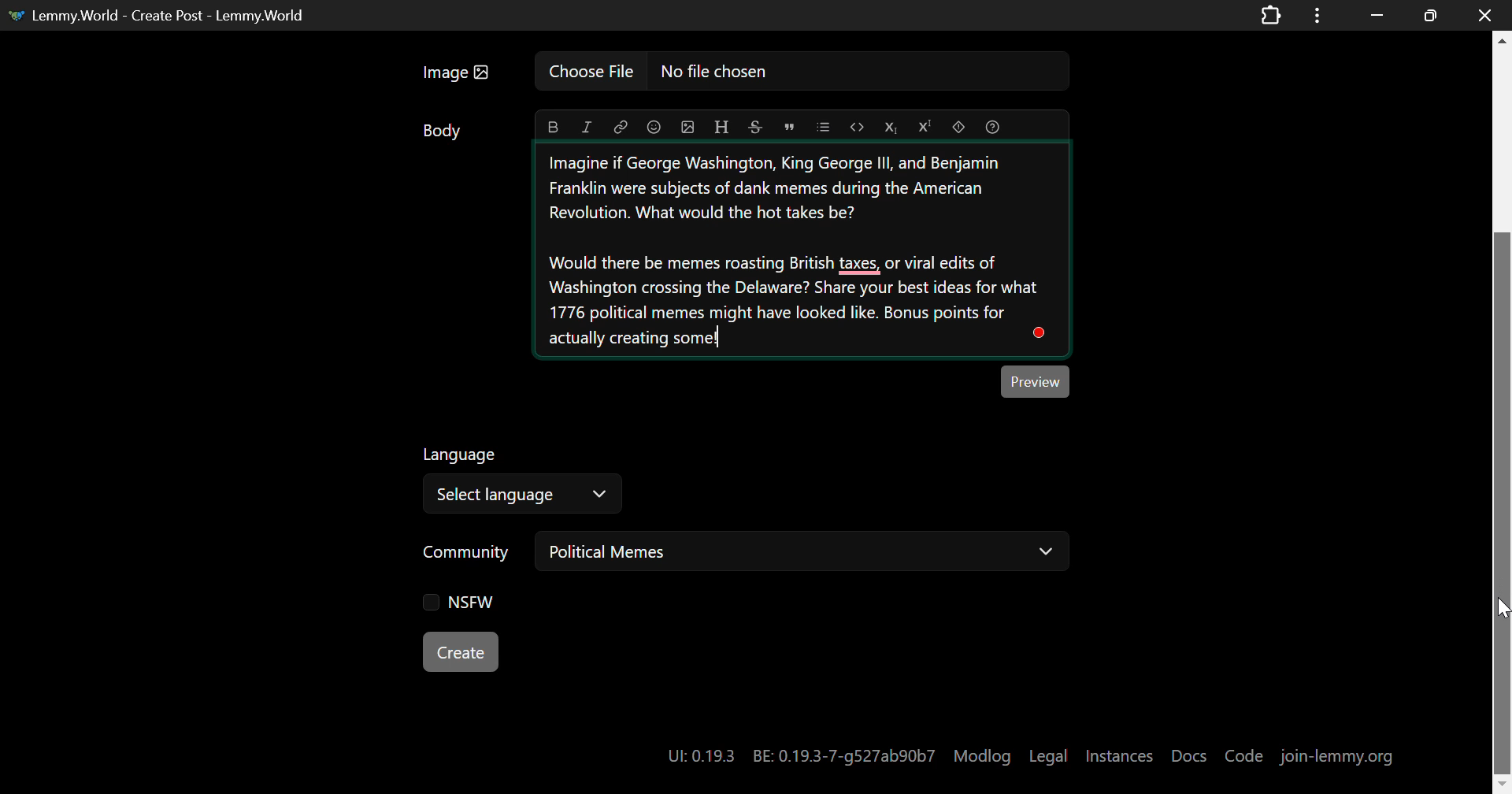  What do you see at coordinates (981, 756) in the screenshot?
I see `Modlog` at bounding box center [981, 756].